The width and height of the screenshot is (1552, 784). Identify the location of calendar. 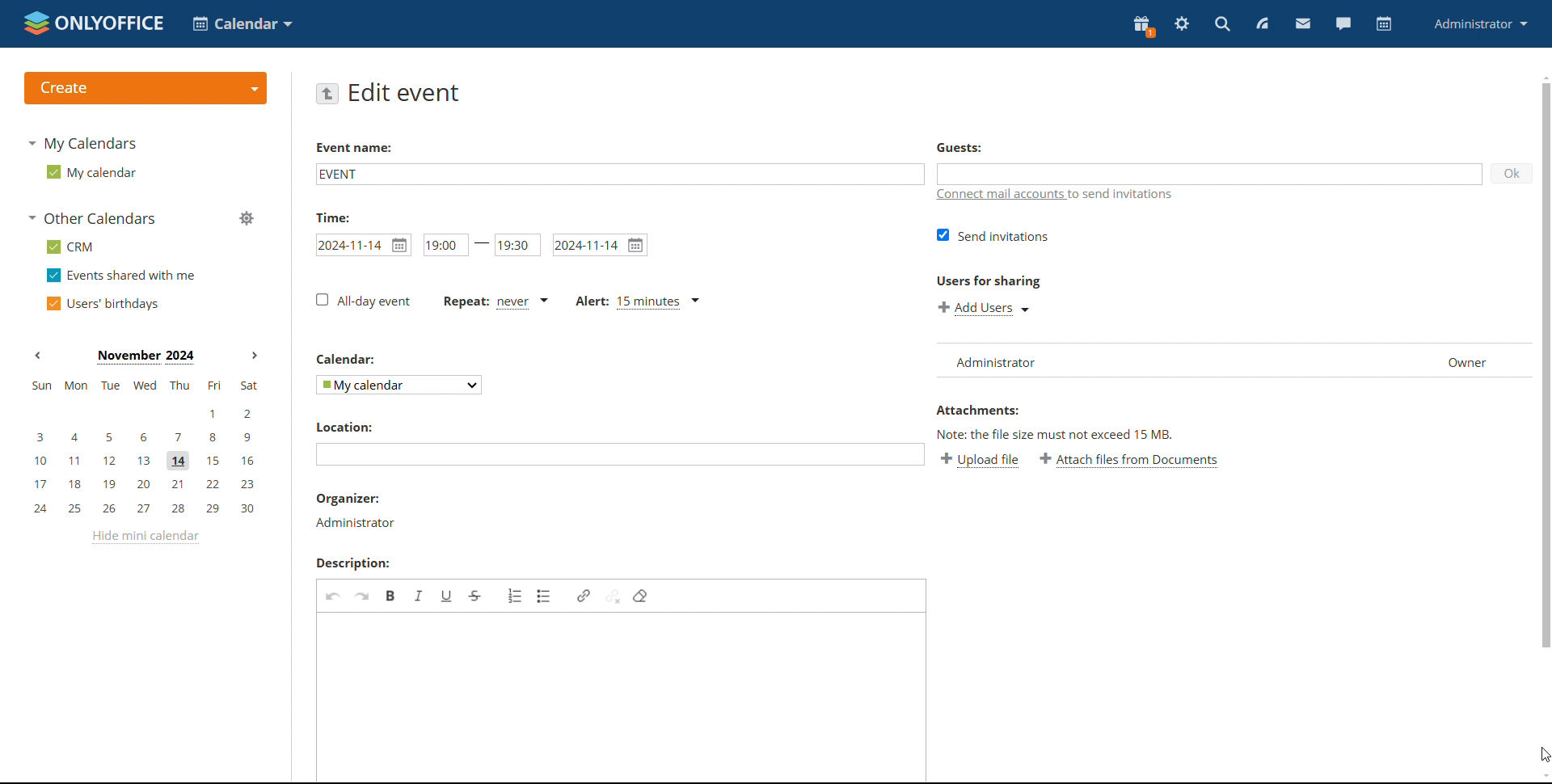
(1382, 25).